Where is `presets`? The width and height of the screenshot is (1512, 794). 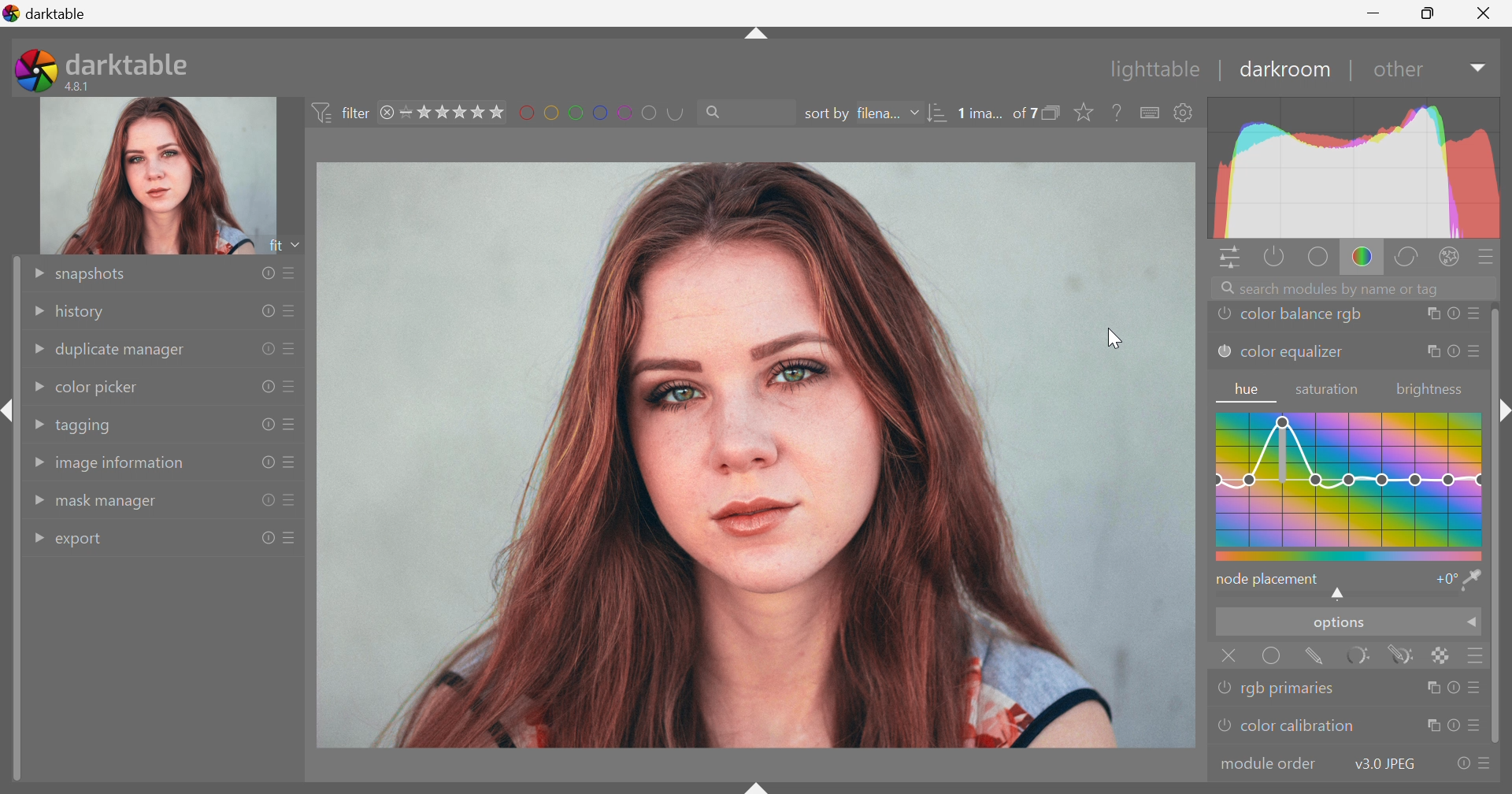 presets is located at coordinates (292, 270).